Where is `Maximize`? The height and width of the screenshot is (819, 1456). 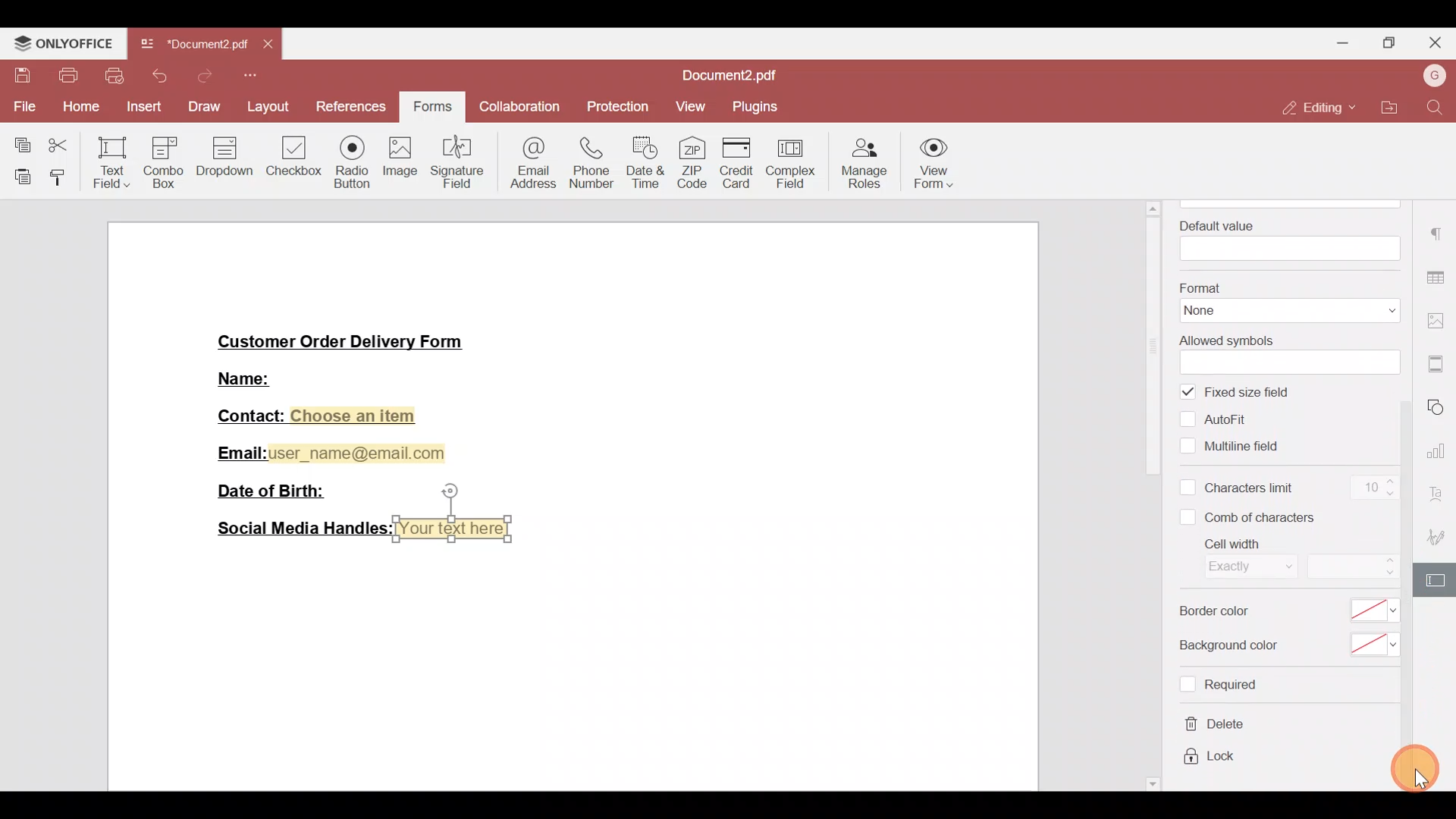
Maximize is located at coordinates (1395, 42).